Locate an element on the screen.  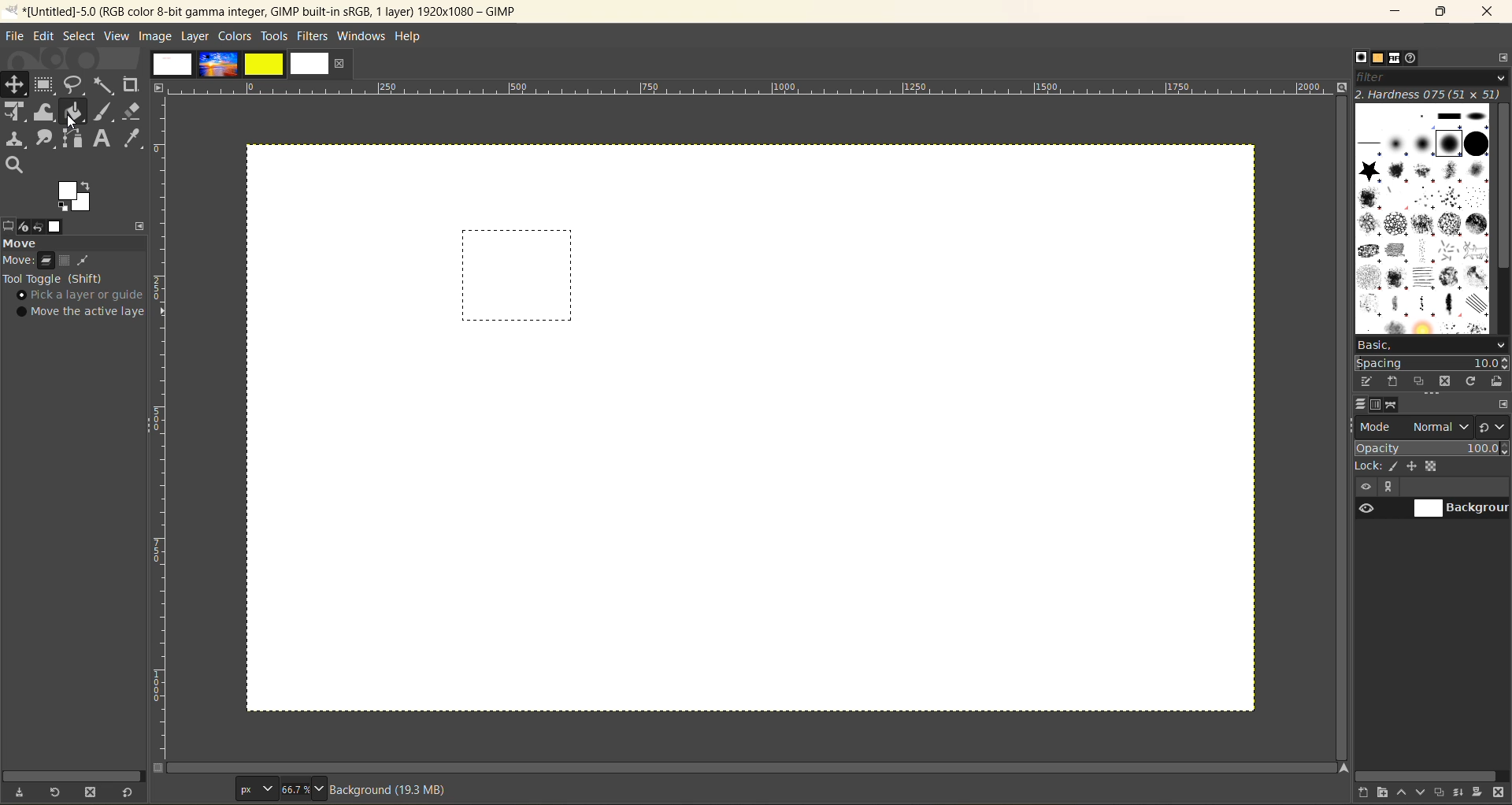
delete this layer is located at coordinates (1499, 794).